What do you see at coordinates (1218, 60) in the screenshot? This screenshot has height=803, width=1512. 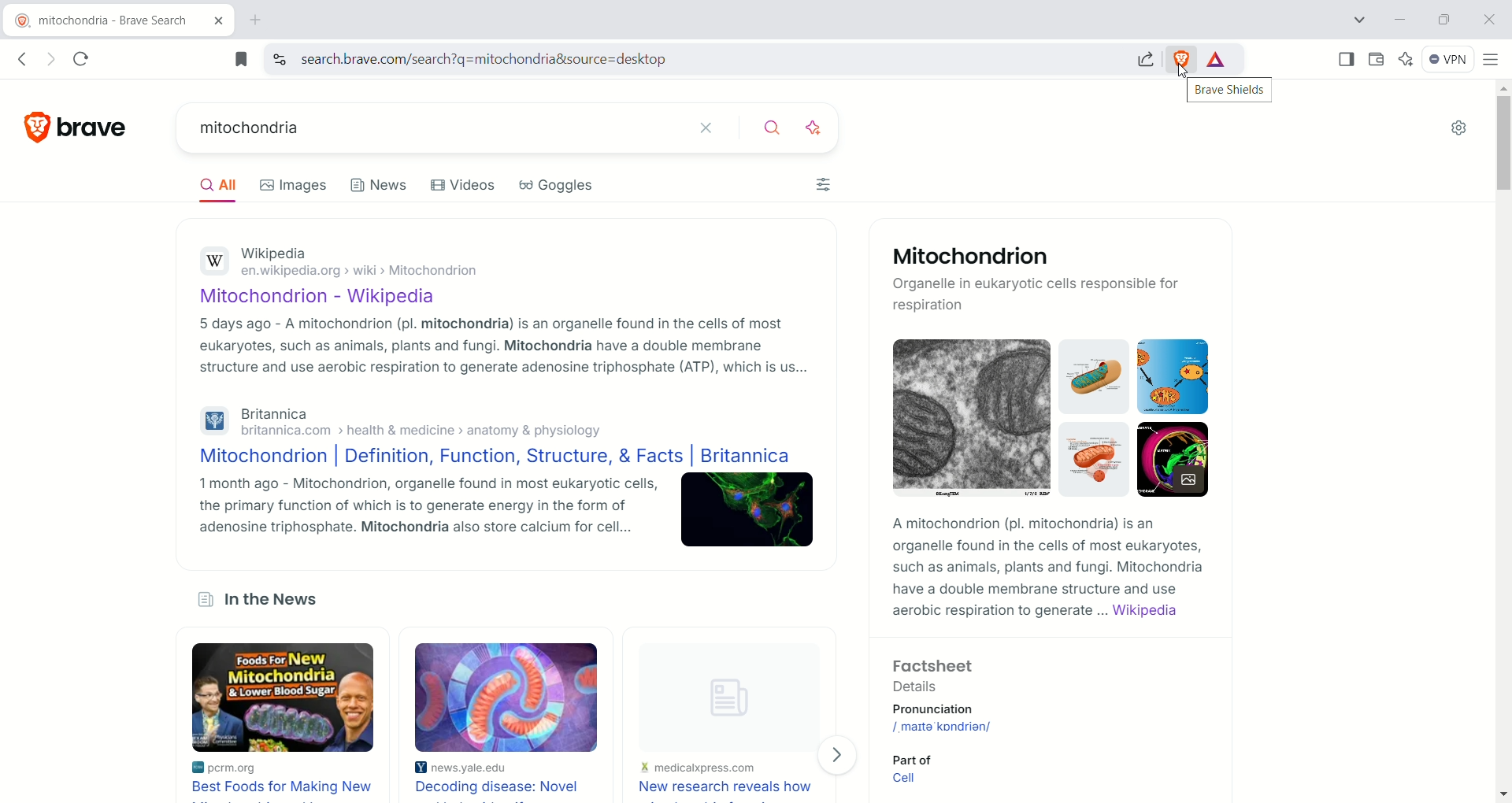 I see `rewards` at bounding box center [1218, 60].